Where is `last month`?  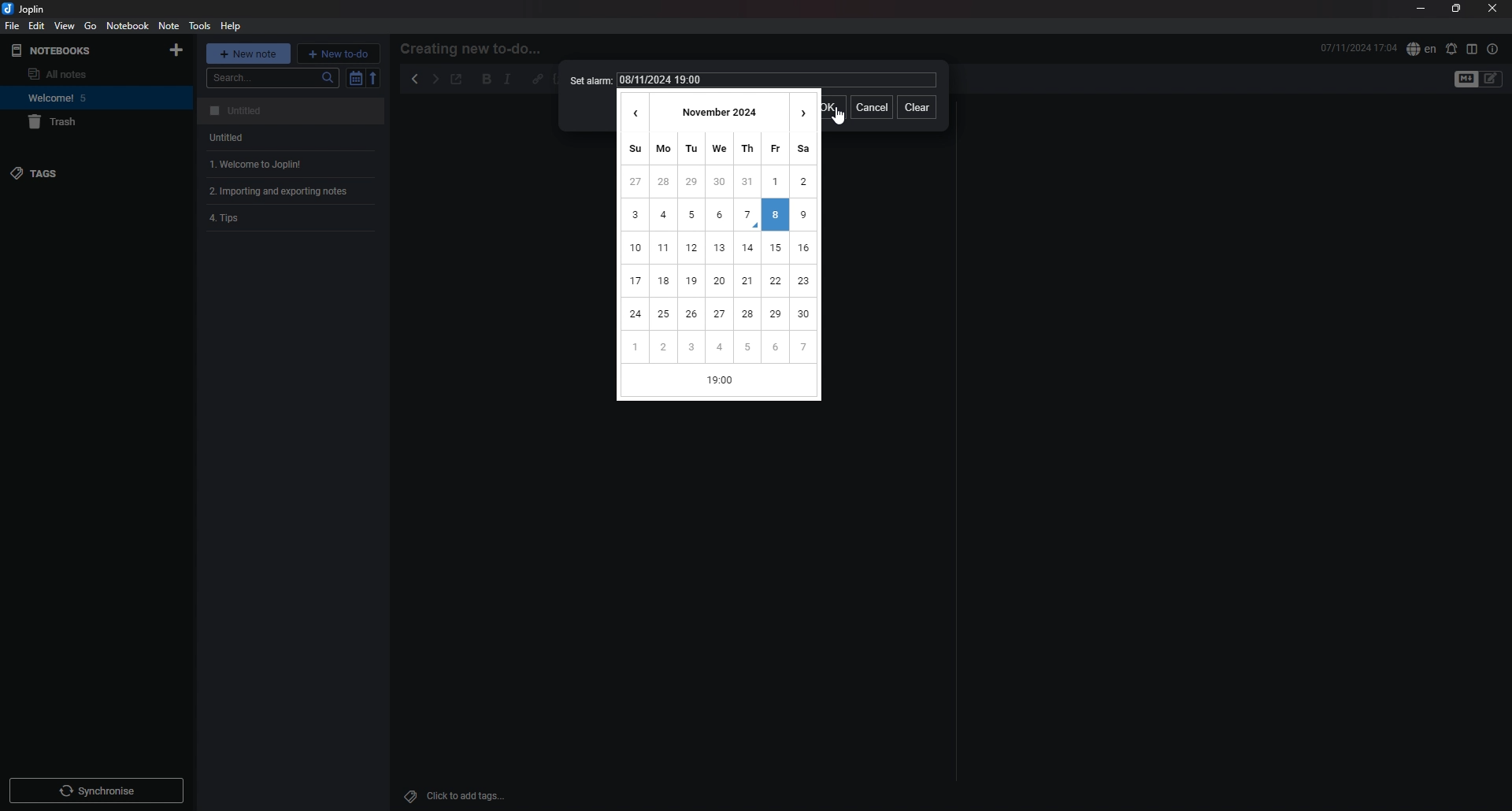
last month is located at coordinates (632, 109).